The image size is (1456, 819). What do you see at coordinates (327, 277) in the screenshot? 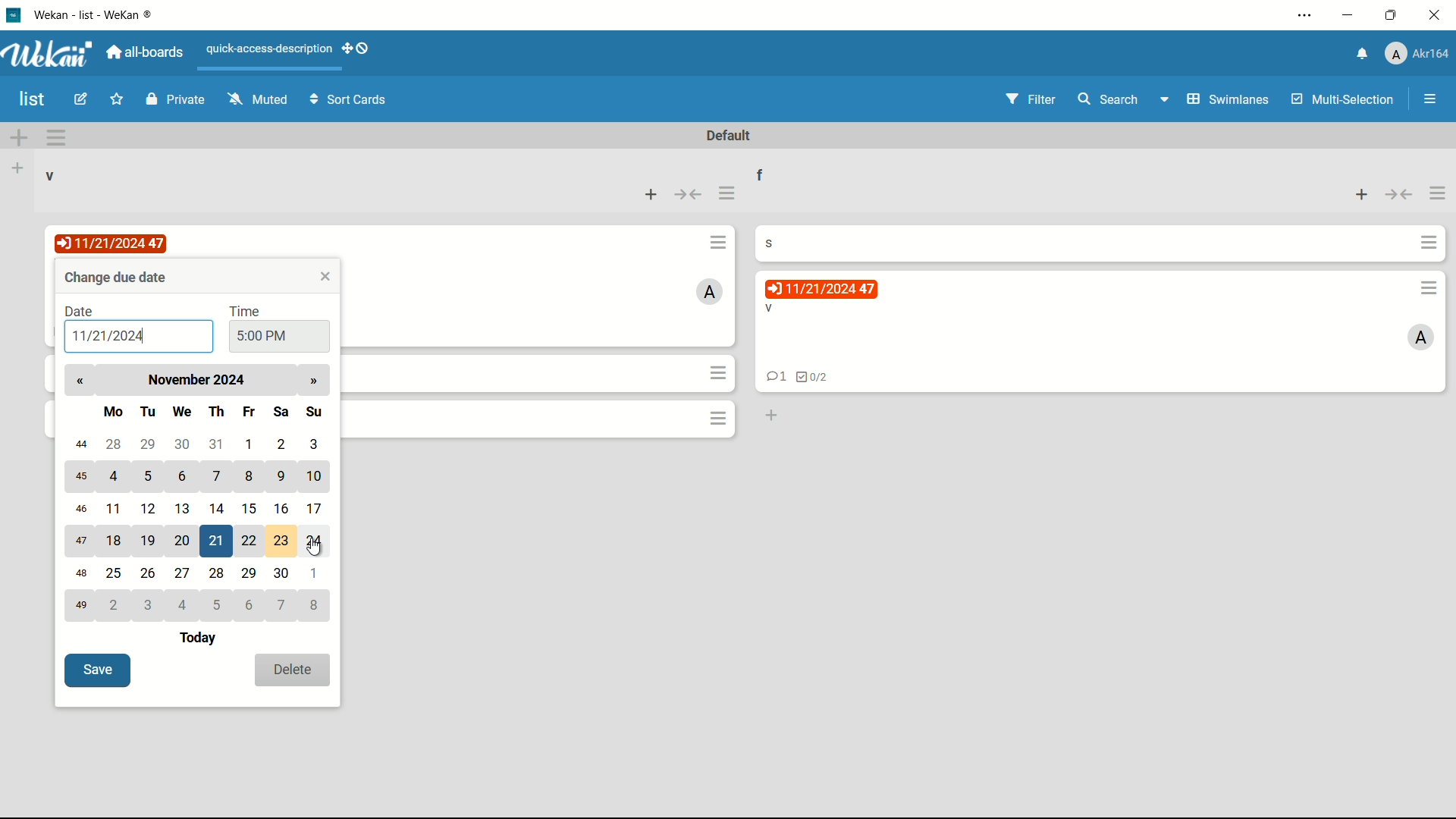
I see `close window` at bounding box center [327, 277].